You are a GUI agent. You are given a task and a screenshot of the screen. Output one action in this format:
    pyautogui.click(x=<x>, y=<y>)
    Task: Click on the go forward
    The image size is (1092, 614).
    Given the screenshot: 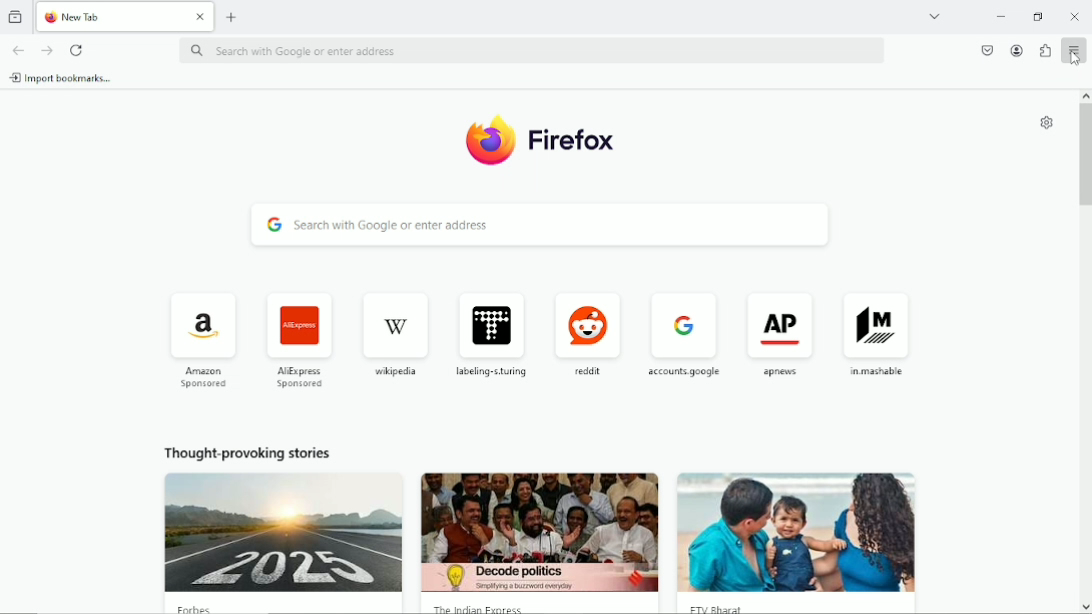 What is the action you would take?
    pyautogui.click(x=47, y=49)
    